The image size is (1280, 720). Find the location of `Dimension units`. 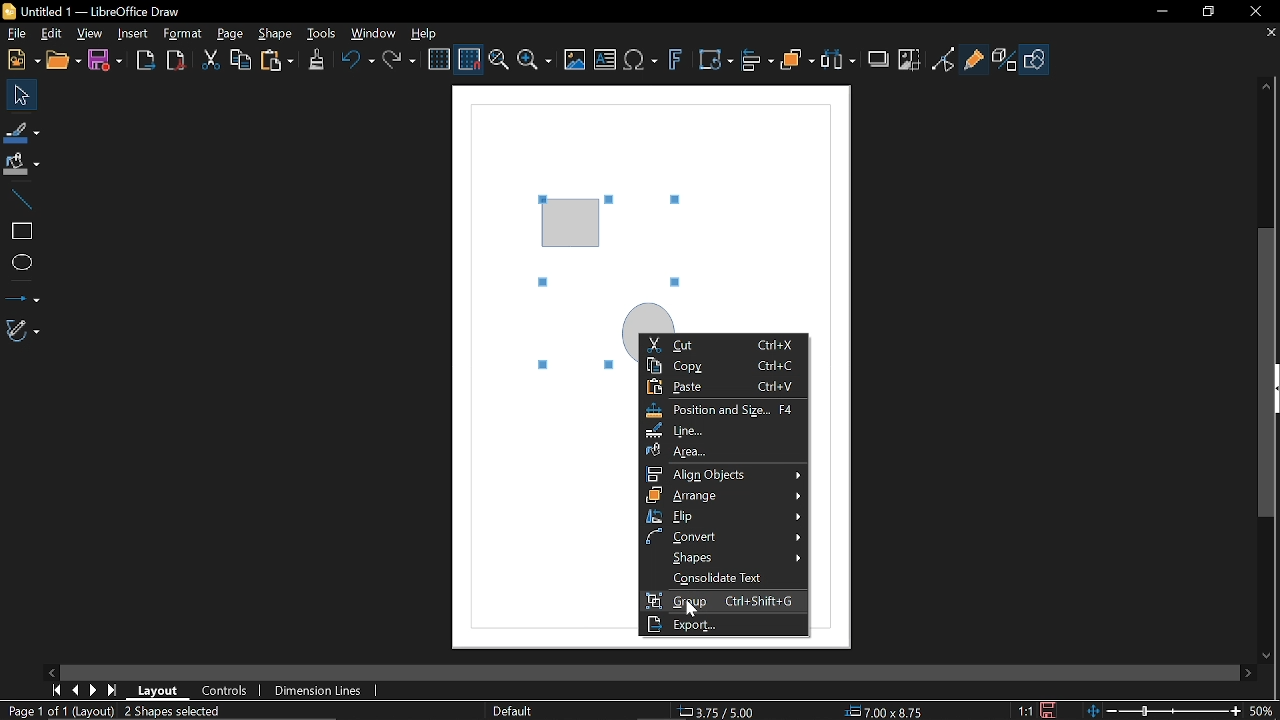

Dimension units is located at coordinates (316, 691).